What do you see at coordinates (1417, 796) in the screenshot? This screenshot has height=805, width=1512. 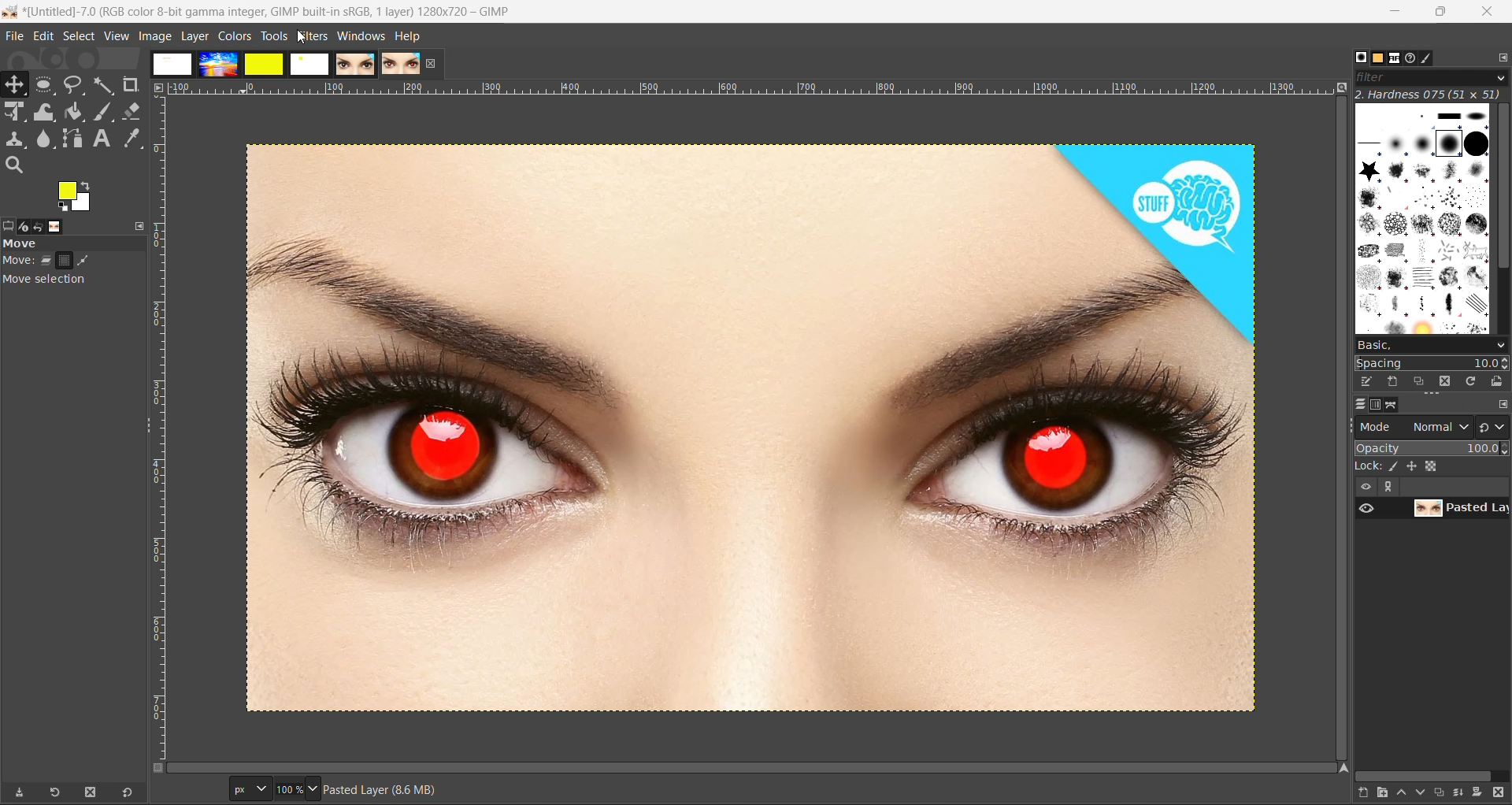 I see `lower this layer` at bounding box center [1417, 796].